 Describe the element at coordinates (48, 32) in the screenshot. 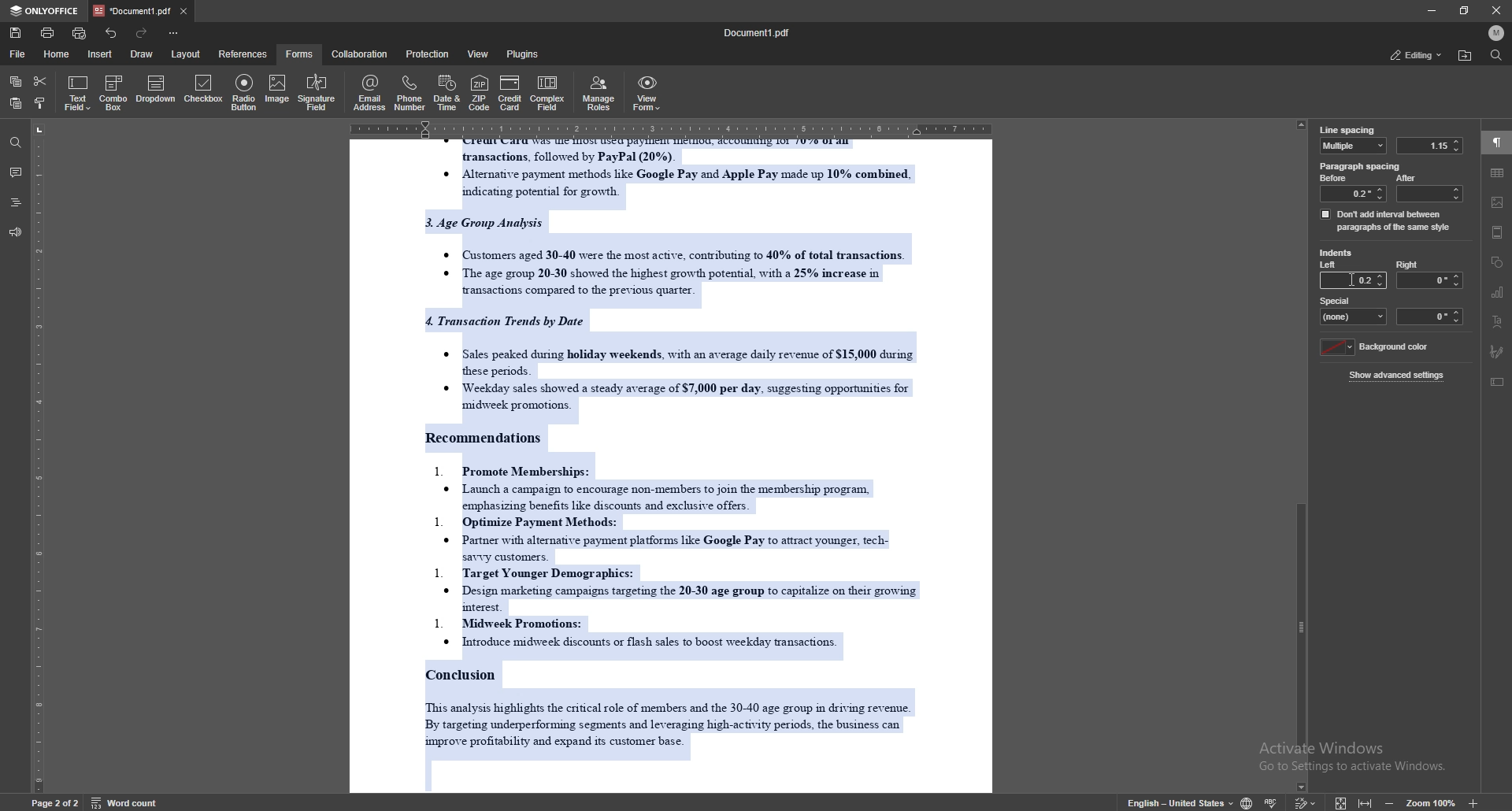

I see `print` at that location.